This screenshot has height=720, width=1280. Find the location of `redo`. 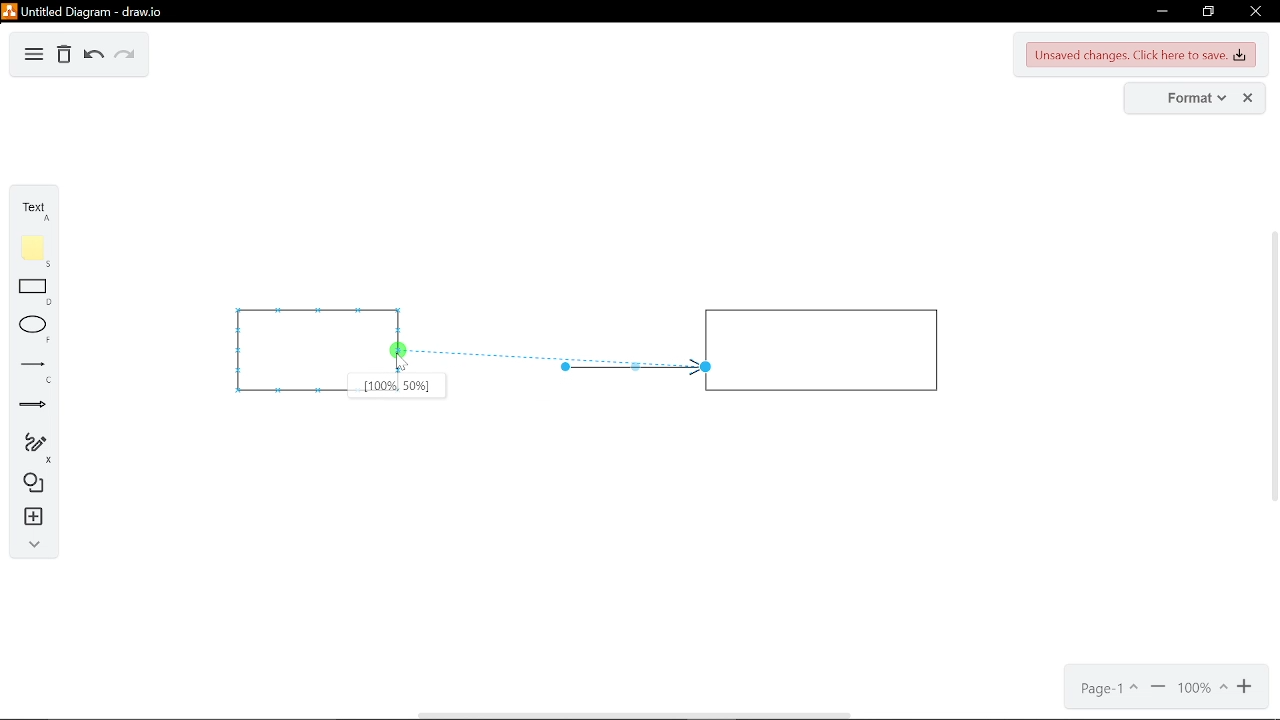

redo is located at coordinates (125, 56).